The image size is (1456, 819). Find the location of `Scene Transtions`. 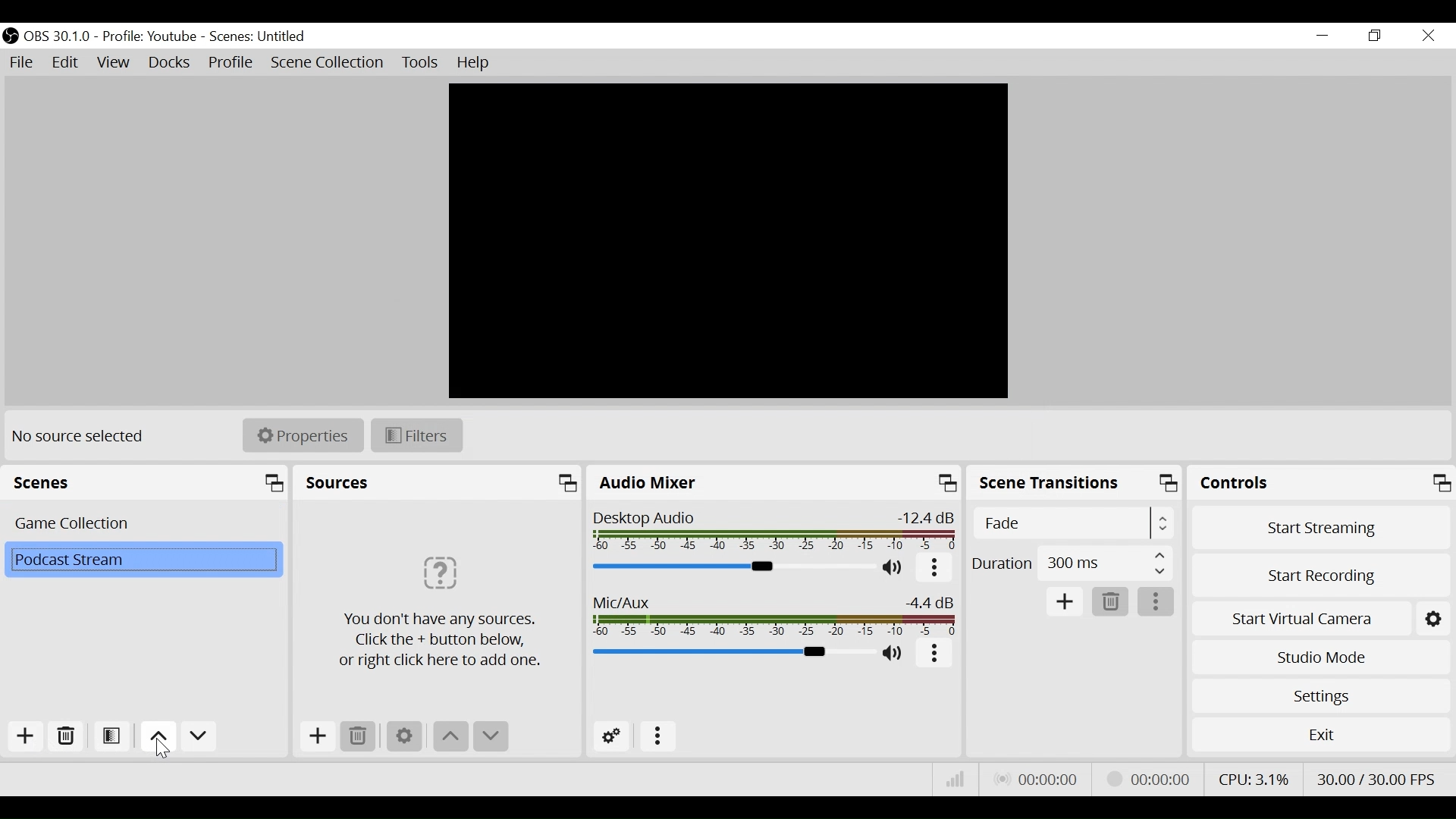

Scene Transtions is located at coordinates (1075, 483).